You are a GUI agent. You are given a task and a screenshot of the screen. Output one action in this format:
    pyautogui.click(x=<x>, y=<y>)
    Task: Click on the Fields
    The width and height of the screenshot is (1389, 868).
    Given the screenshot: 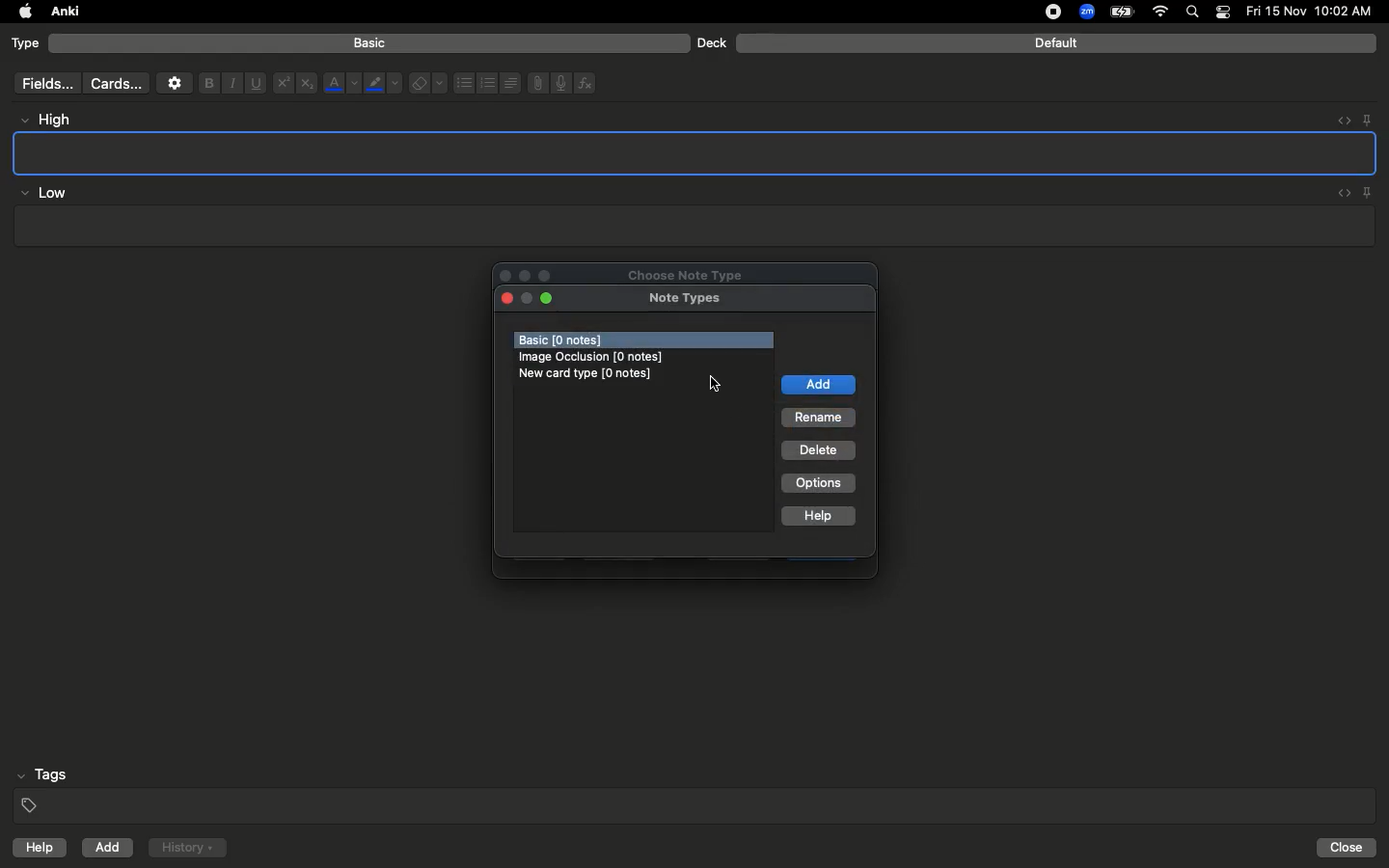 What is the action you would take?
    pyautogui.click(x=43, y=83)
    